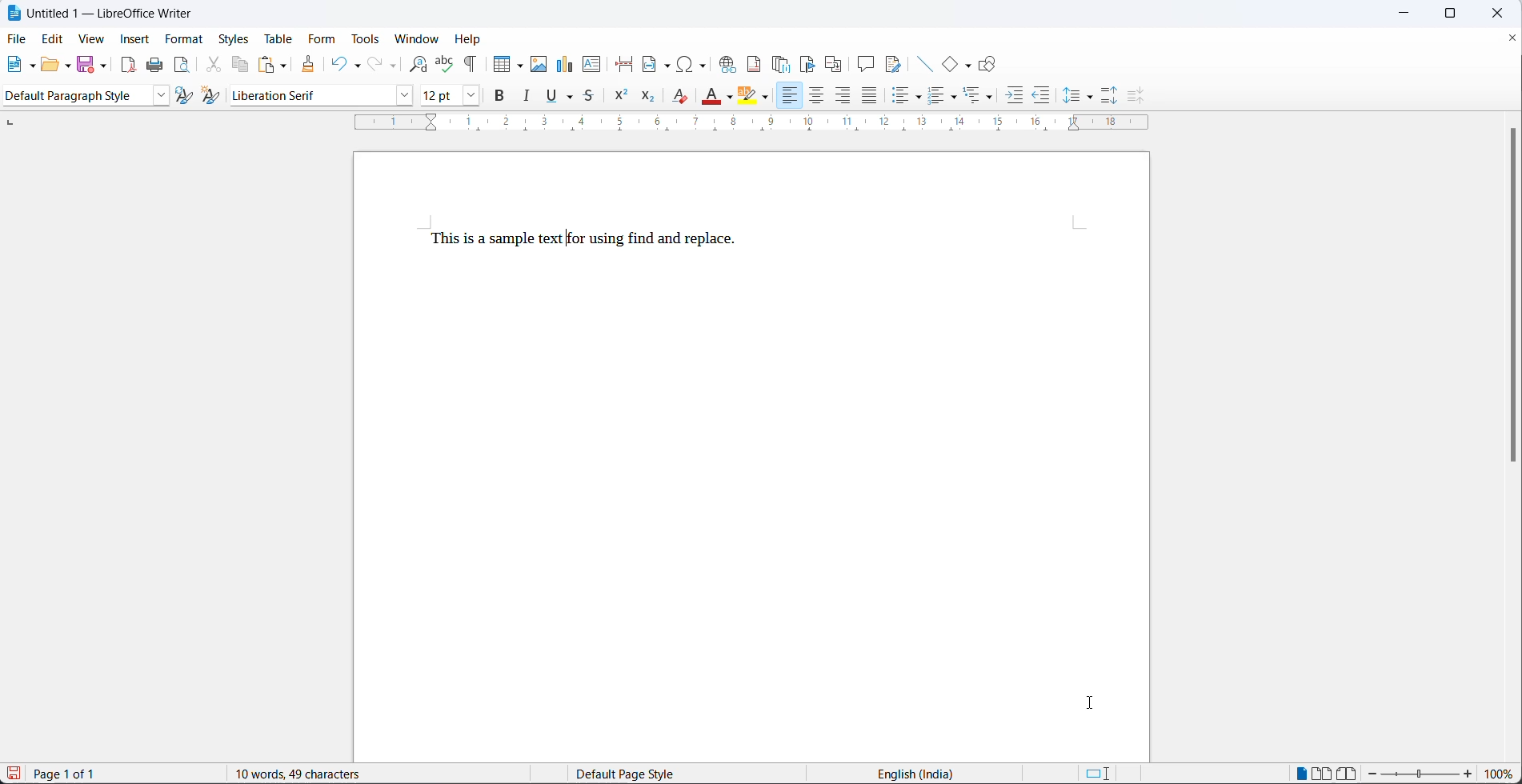 This screenshot has height=784, width=1522. Describe the element at coordinates (475, 59) in the screenshot. I see `toggle formatting marks` at that location.